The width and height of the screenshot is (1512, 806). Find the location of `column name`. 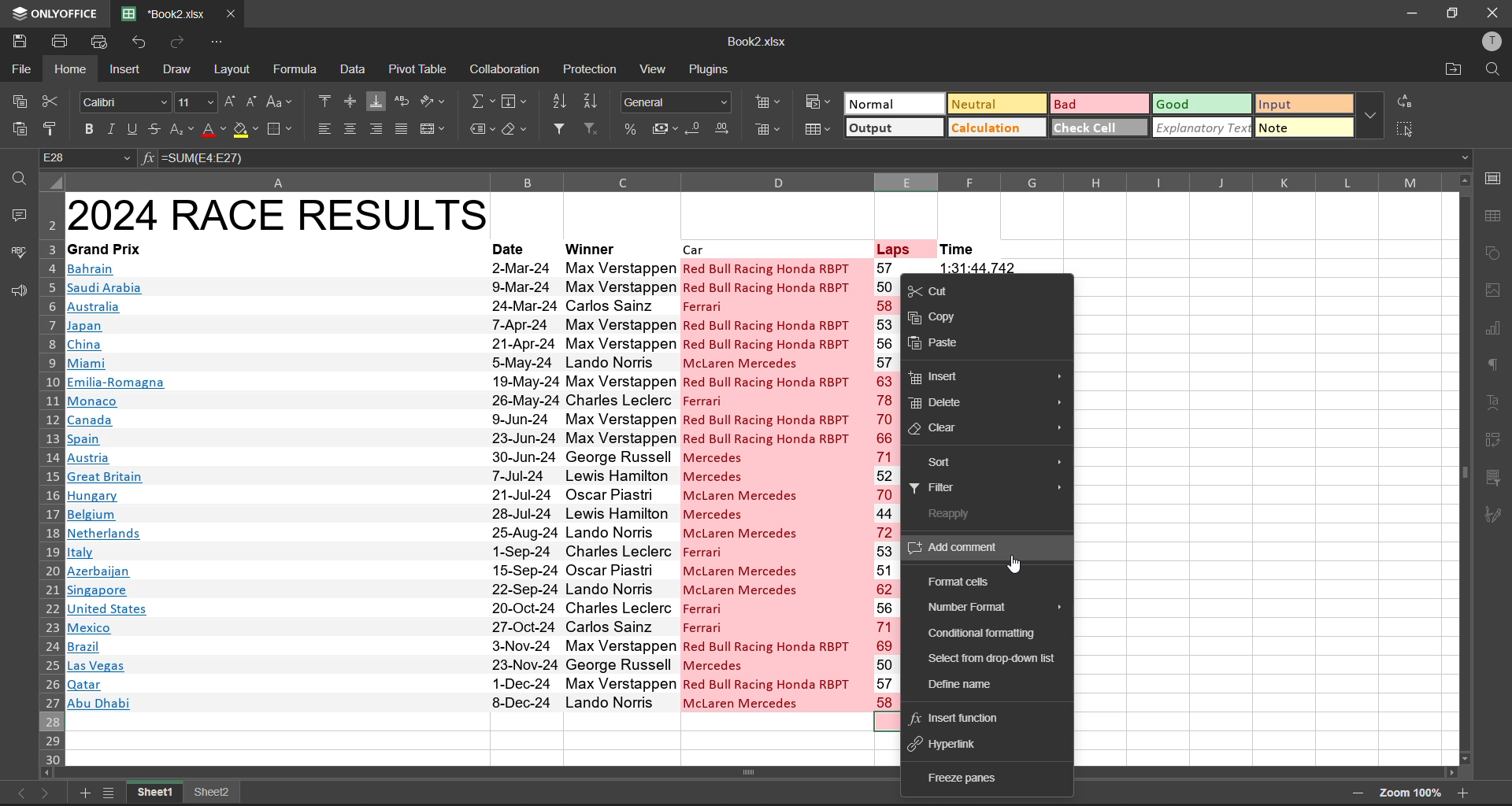

column name is located at coordinates (751, 181).